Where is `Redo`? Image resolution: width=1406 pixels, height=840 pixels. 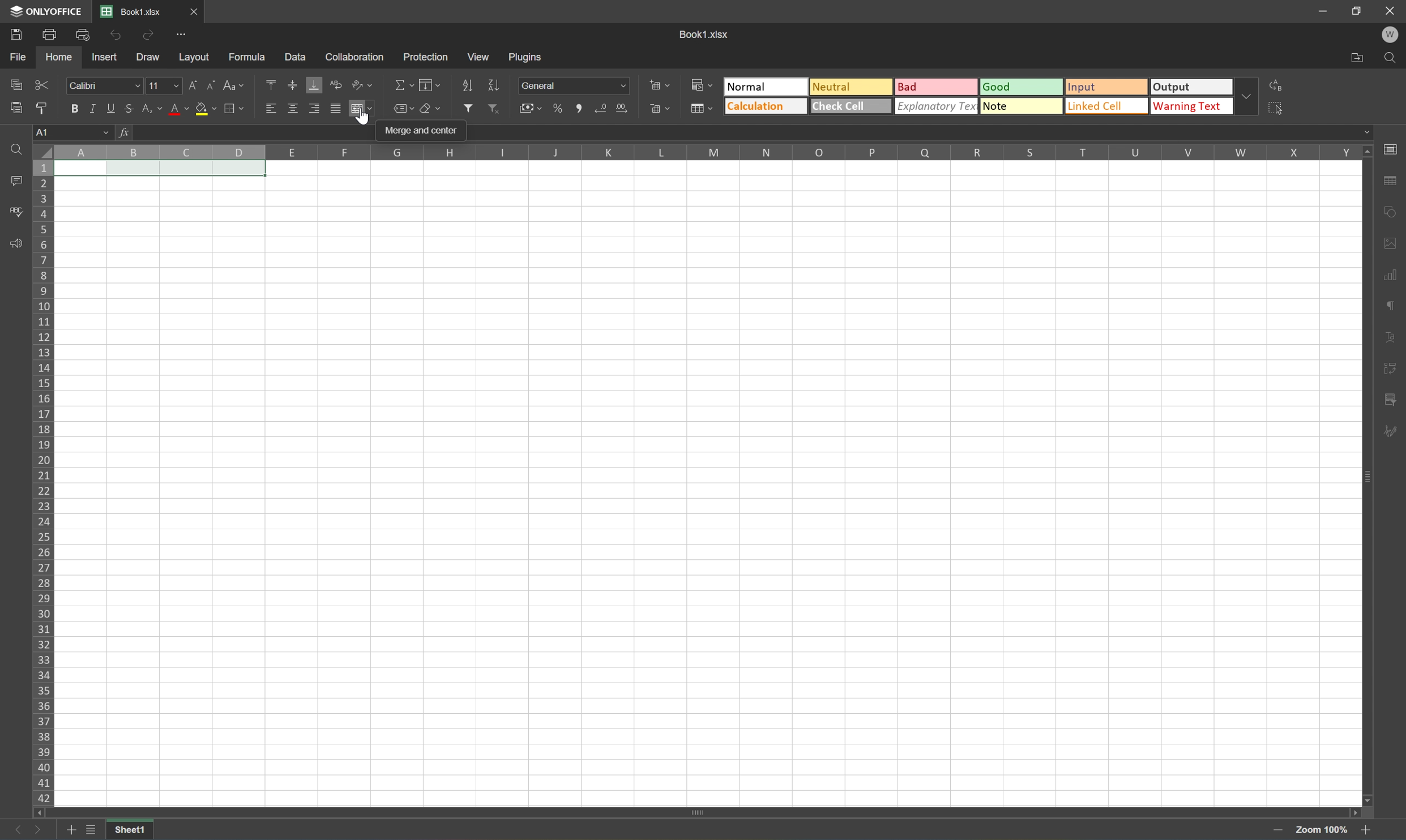 Redo is located at coordinates (149, 37).